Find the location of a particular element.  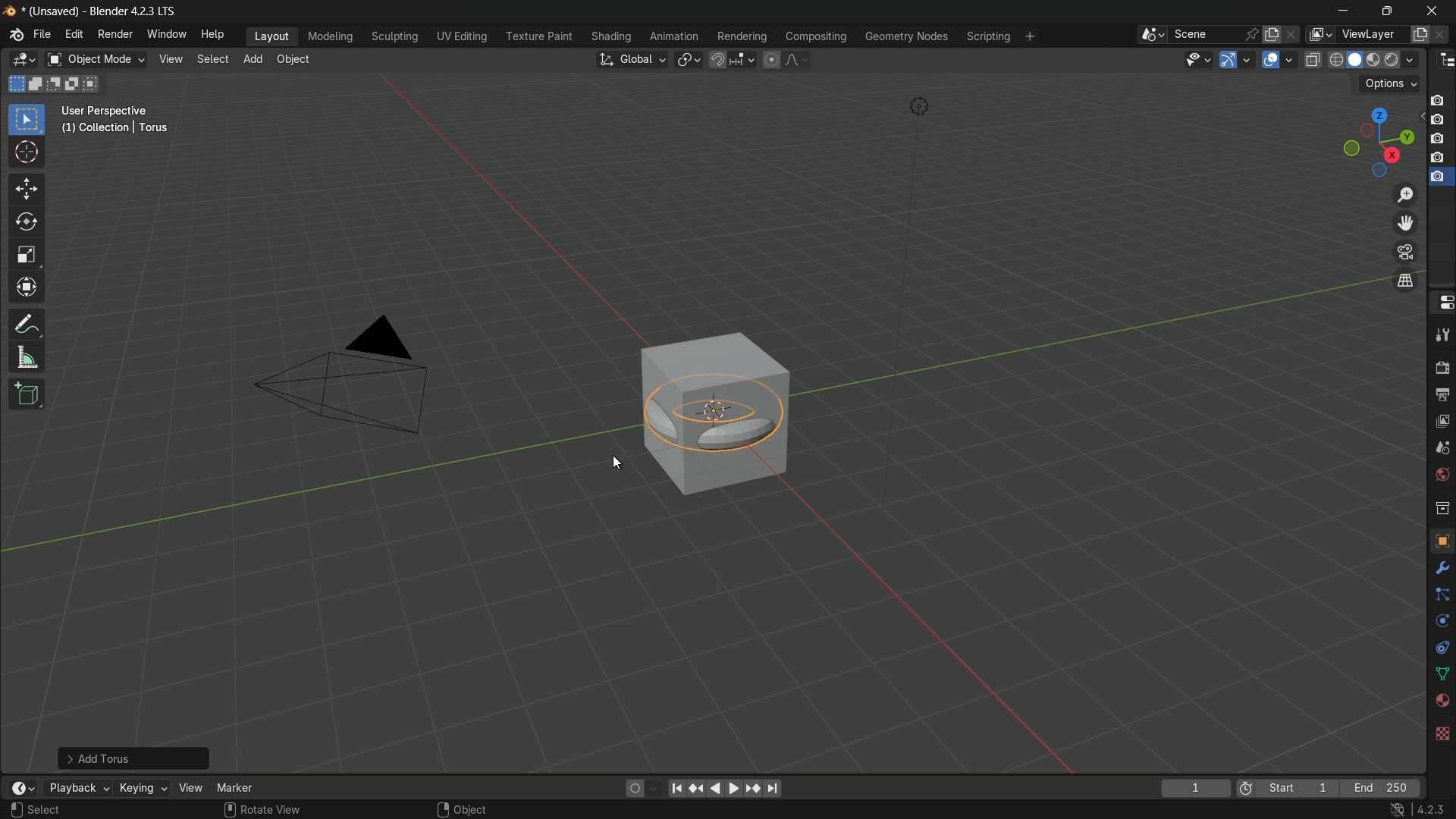

wireframe is located at coordinates (1336, 59).